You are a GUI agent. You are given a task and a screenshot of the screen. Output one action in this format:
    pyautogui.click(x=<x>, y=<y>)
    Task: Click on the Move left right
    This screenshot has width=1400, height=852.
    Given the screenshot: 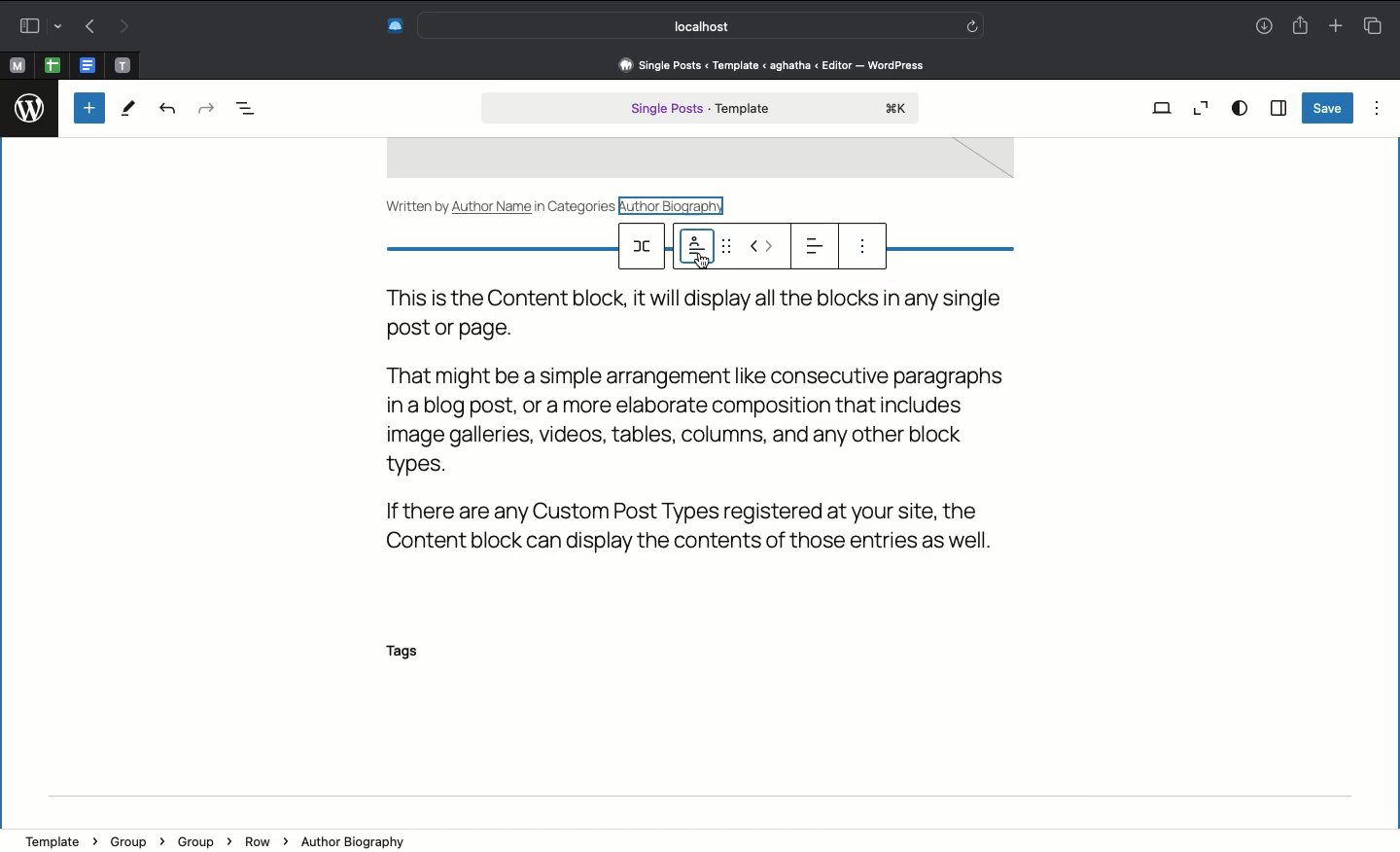 What is the action you would take?
    pyautogui.click(x=763, y=246)
    